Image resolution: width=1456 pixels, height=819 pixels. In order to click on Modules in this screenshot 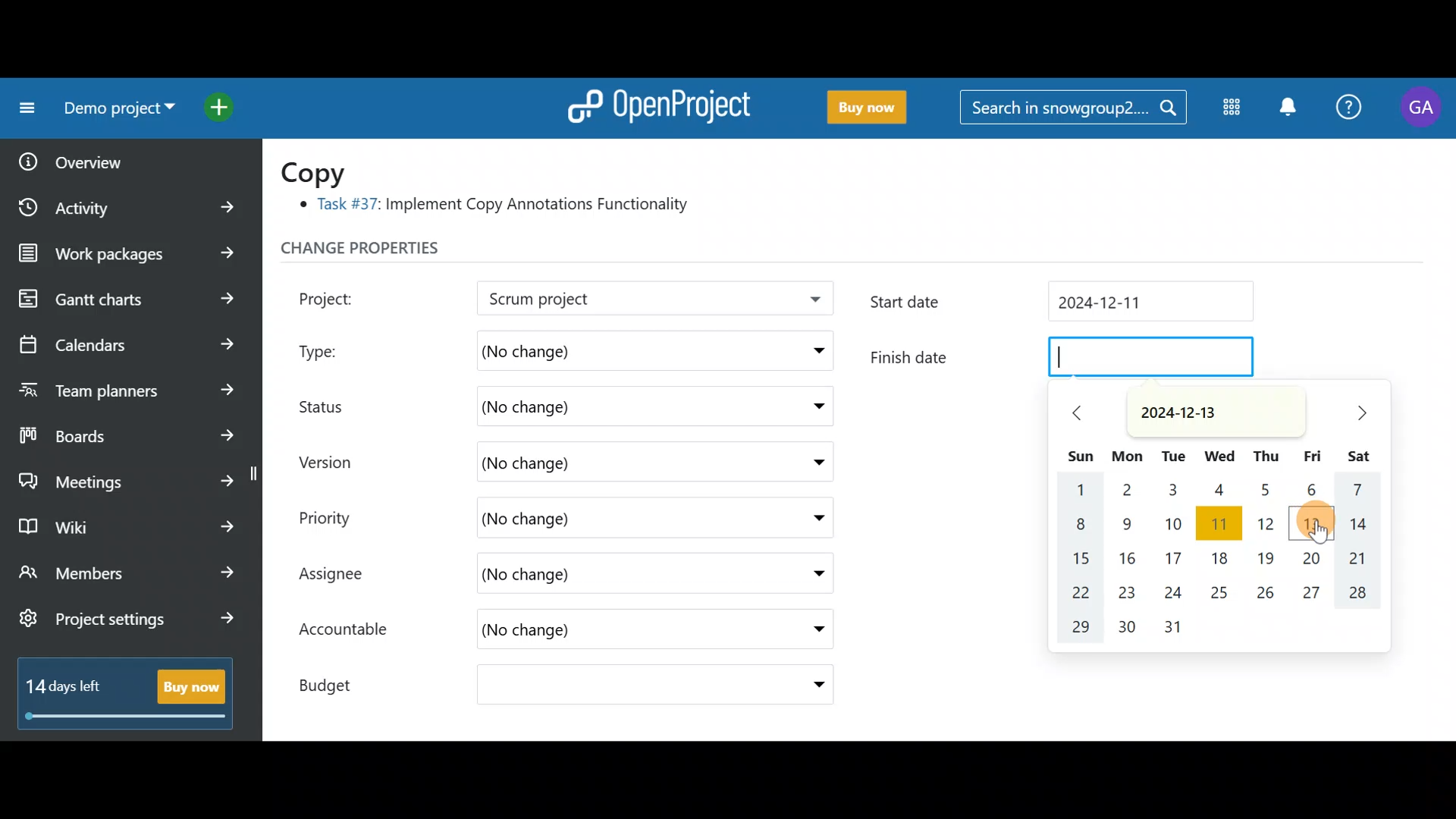, I will do `click(1227, 110)`.